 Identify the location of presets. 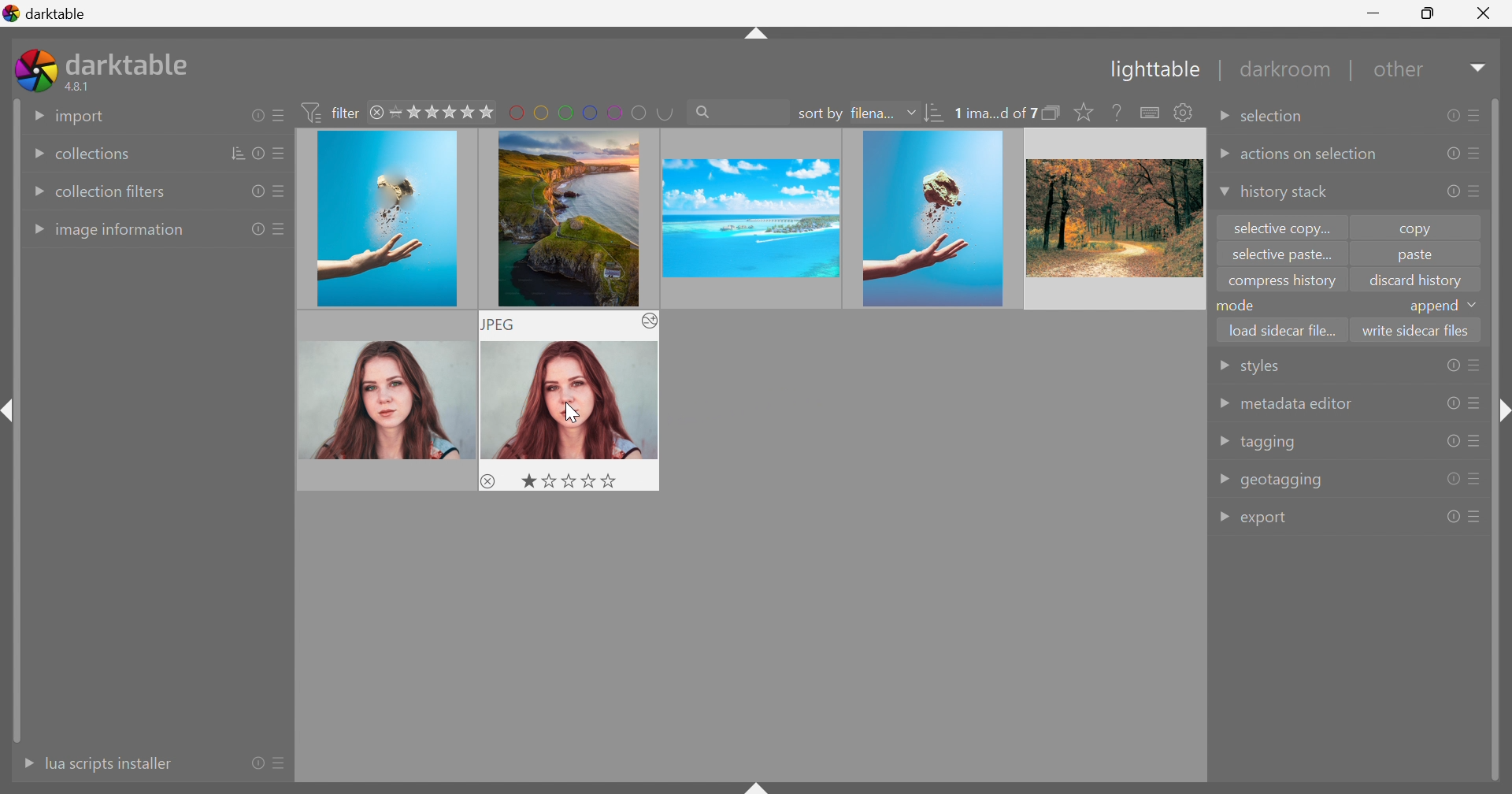
(280, 155).